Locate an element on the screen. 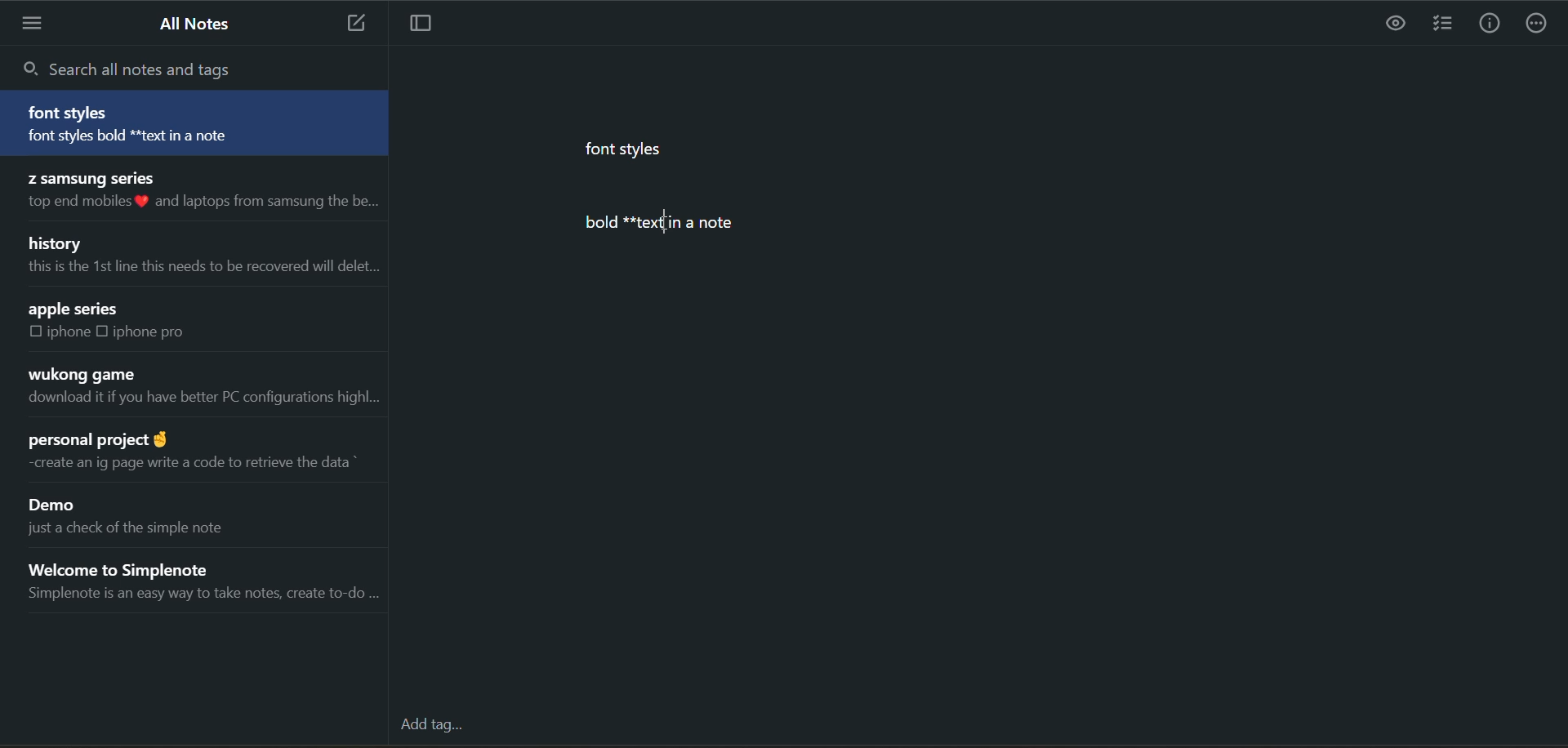  search is located at coordinates (136, 68).